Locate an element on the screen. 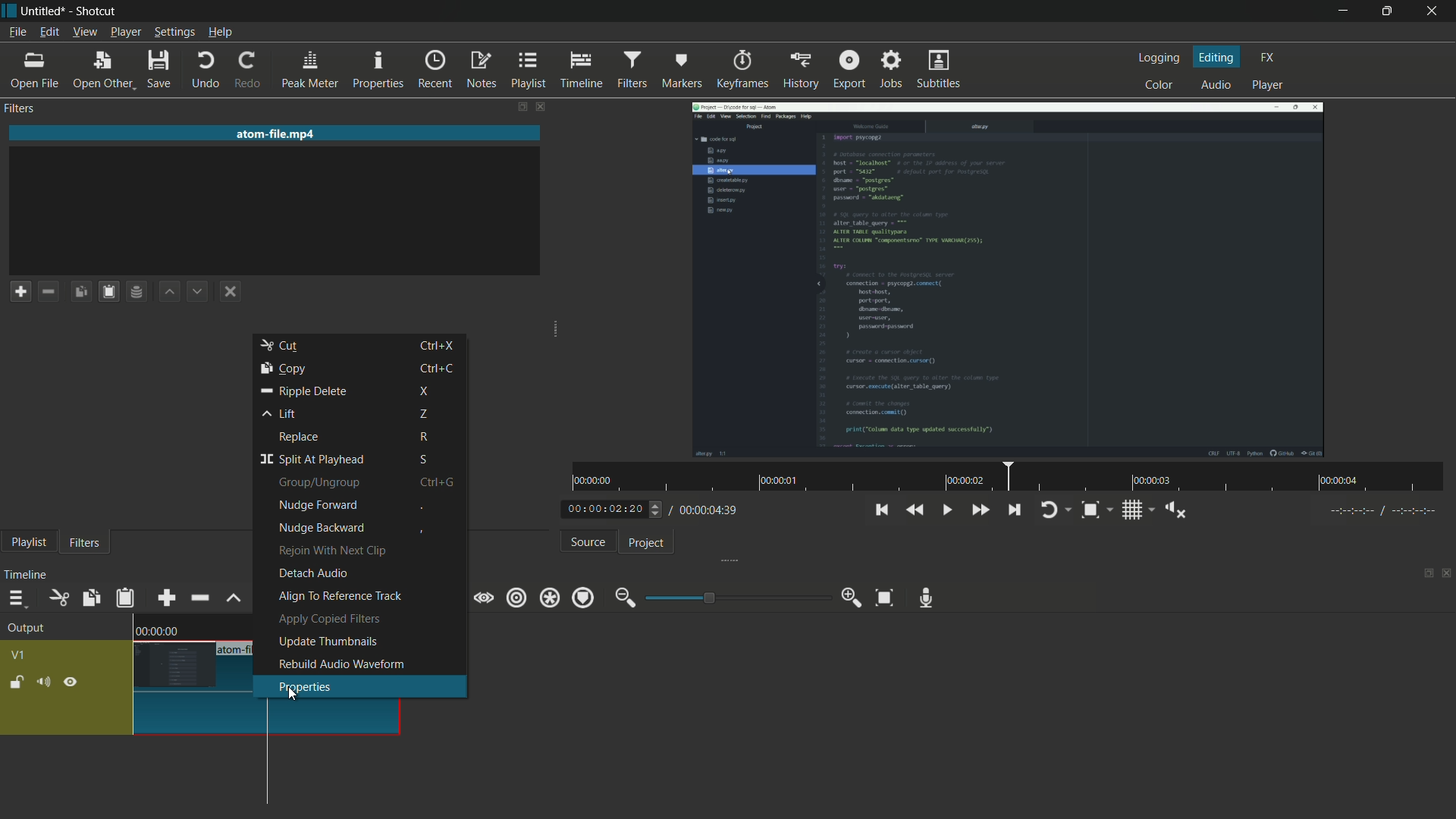 The height and width of the screenshot is (819, 1456). export is located at coordinates (850, 70).